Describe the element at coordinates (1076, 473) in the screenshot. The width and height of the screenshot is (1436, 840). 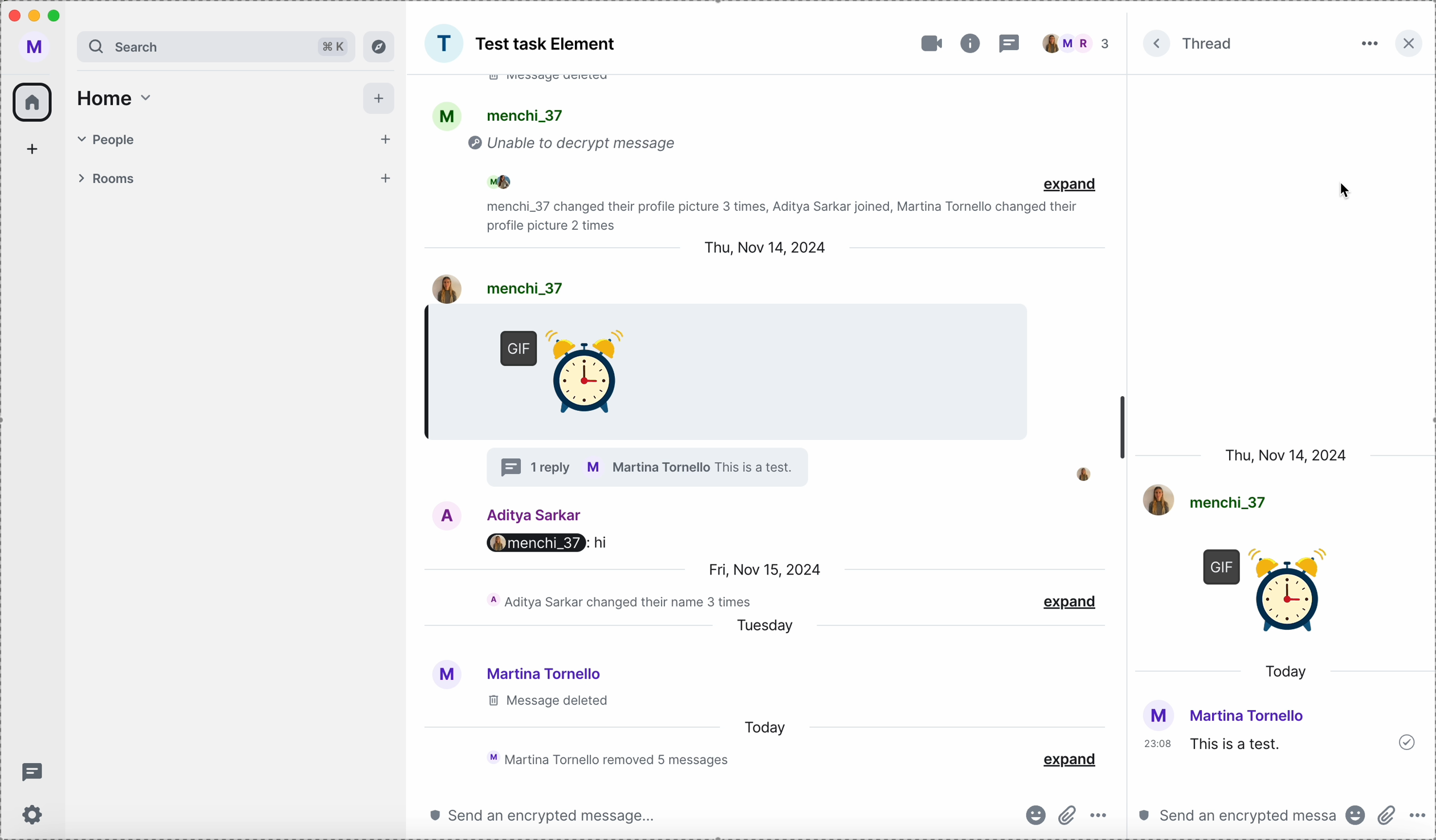
I see `profile picture` at that location.